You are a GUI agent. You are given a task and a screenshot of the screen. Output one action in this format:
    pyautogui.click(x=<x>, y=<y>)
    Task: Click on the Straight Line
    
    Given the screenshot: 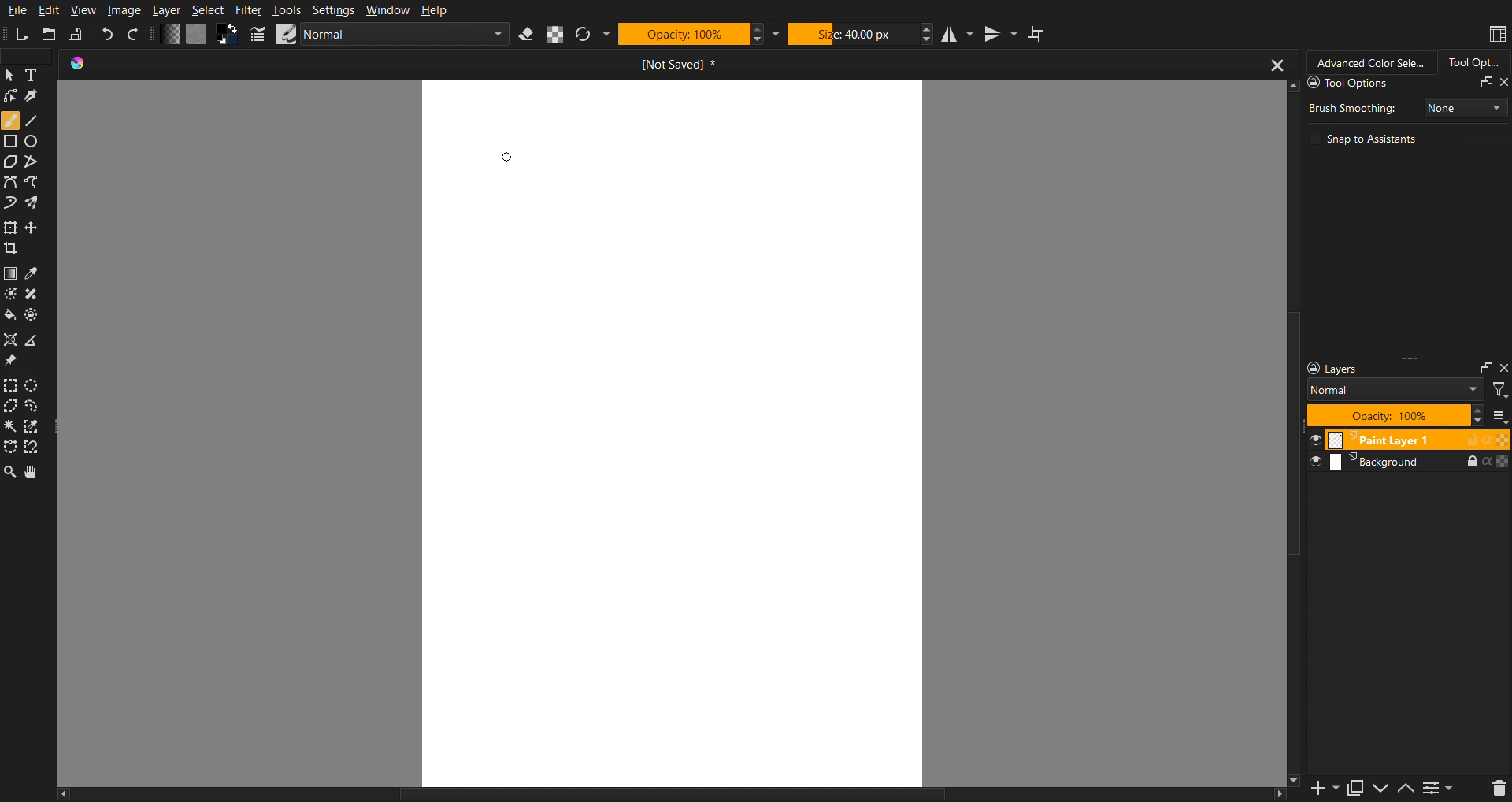 What is the action you would take?
    pyautogui.click(x=37, y=162)
    